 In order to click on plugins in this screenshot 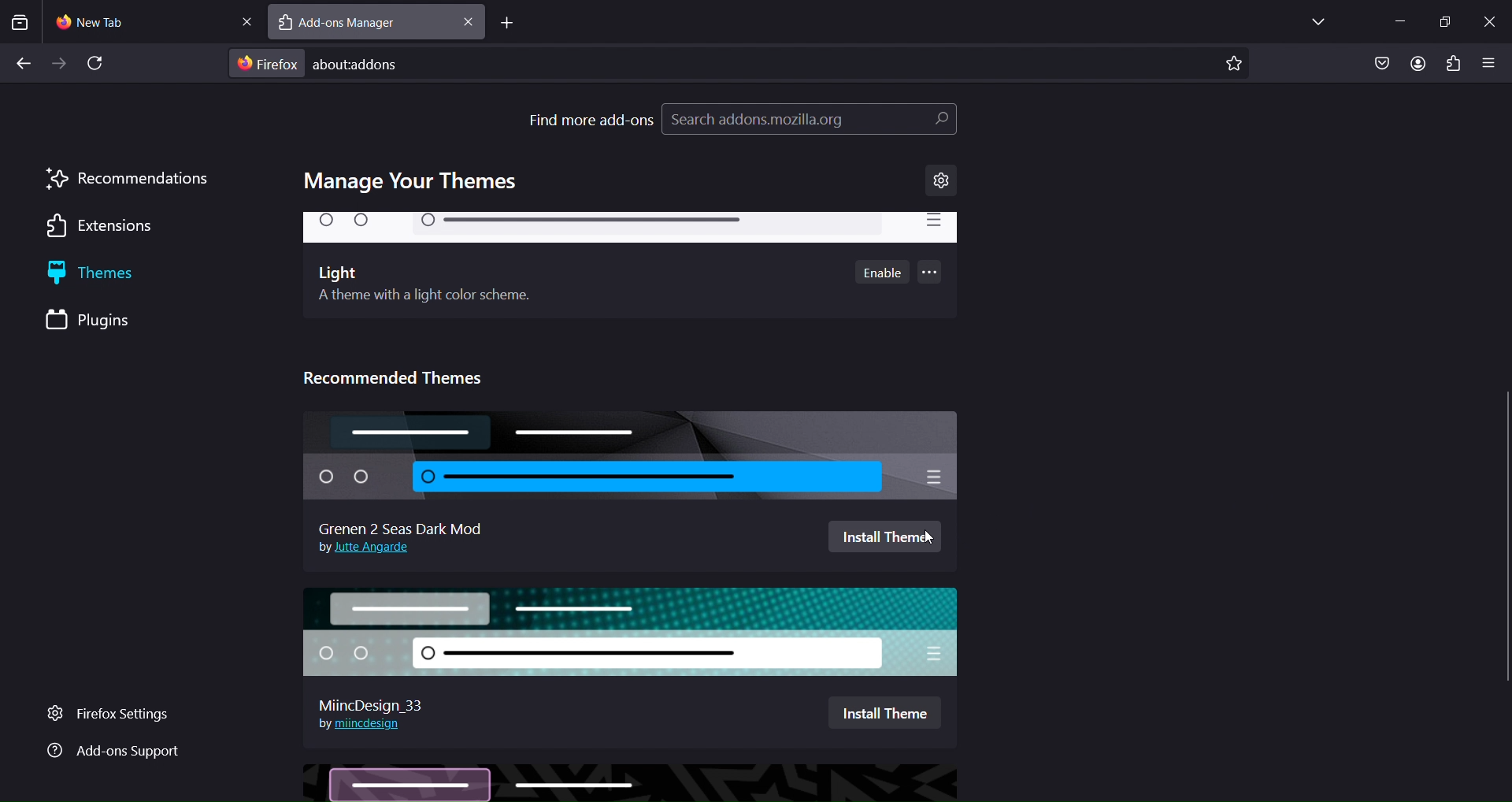, I will do `click(105, 321)`.